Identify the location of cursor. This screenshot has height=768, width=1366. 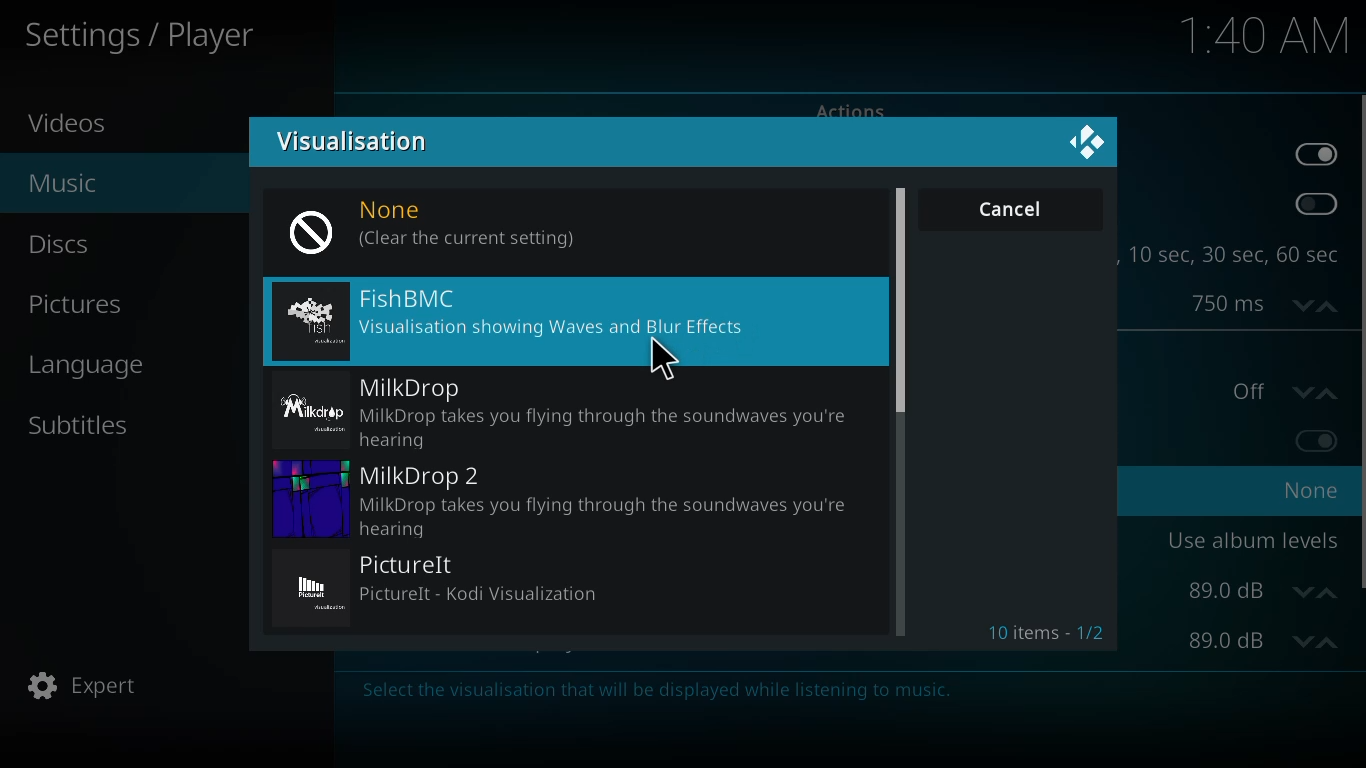
(664, 359).